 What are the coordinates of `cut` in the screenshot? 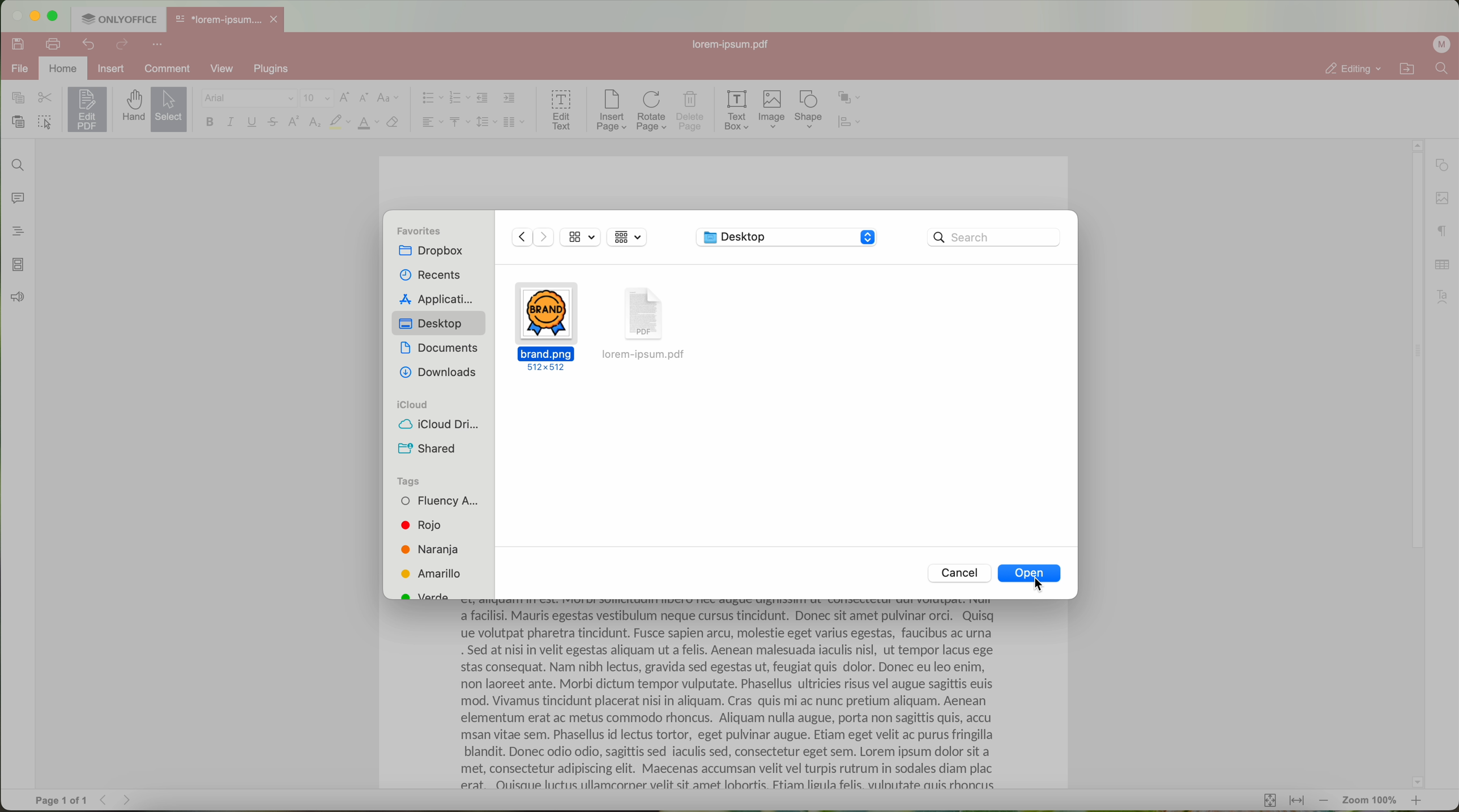 It's located at (45, 98).